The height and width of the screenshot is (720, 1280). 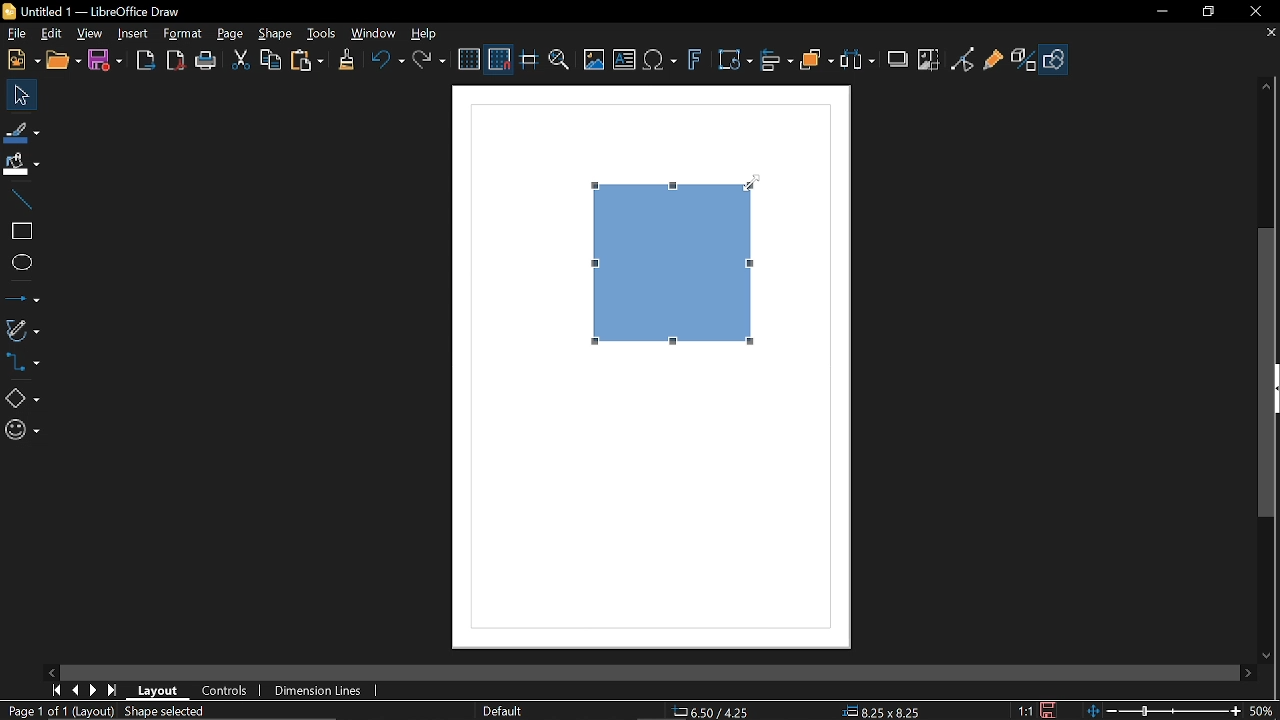 What do you see at coordinates (677, 260) in the screenshot?
I see `Rectangle (Proportionally resized)` at bounding box center [677, 260].